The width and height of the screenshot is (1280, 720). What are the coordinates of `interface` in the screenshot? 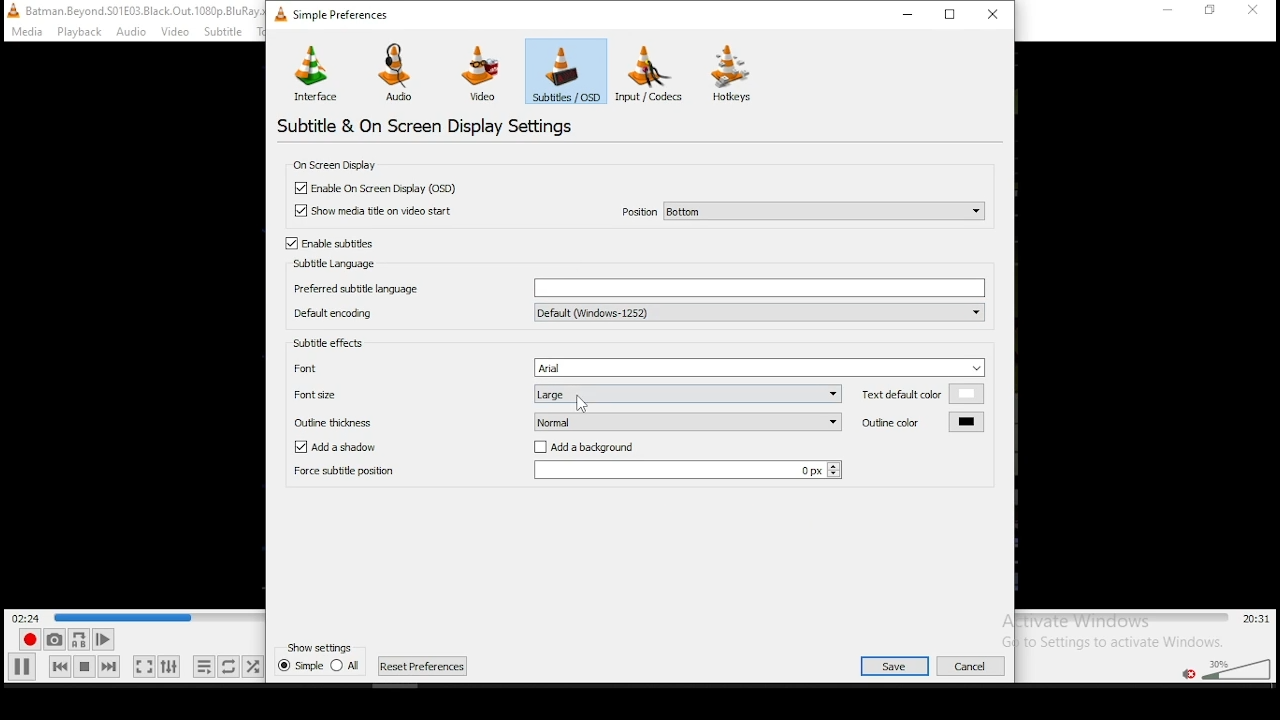 It's located at (313, 72).